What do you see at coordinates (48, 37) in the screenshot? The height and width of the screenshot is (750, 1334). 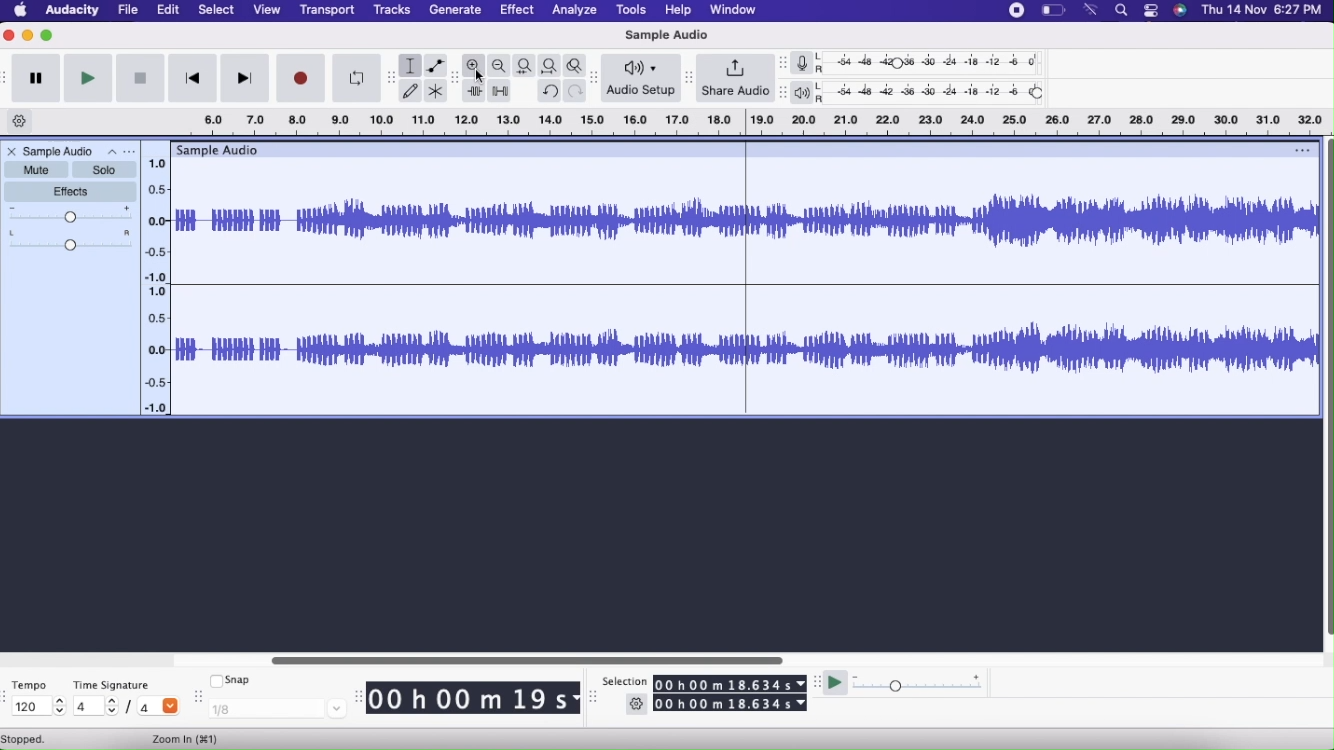 I see `Maximize` at bounding box center [48, 37].